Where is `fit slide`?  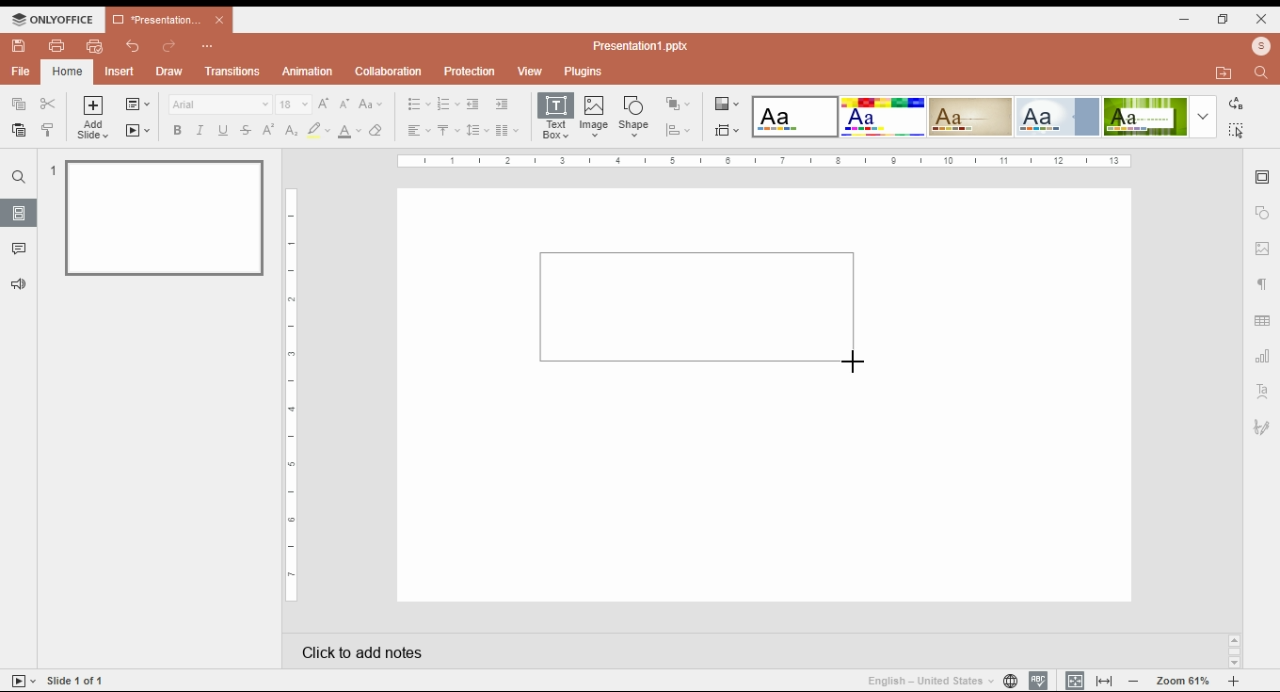 fit slide is located at coordinates (1072, 680).